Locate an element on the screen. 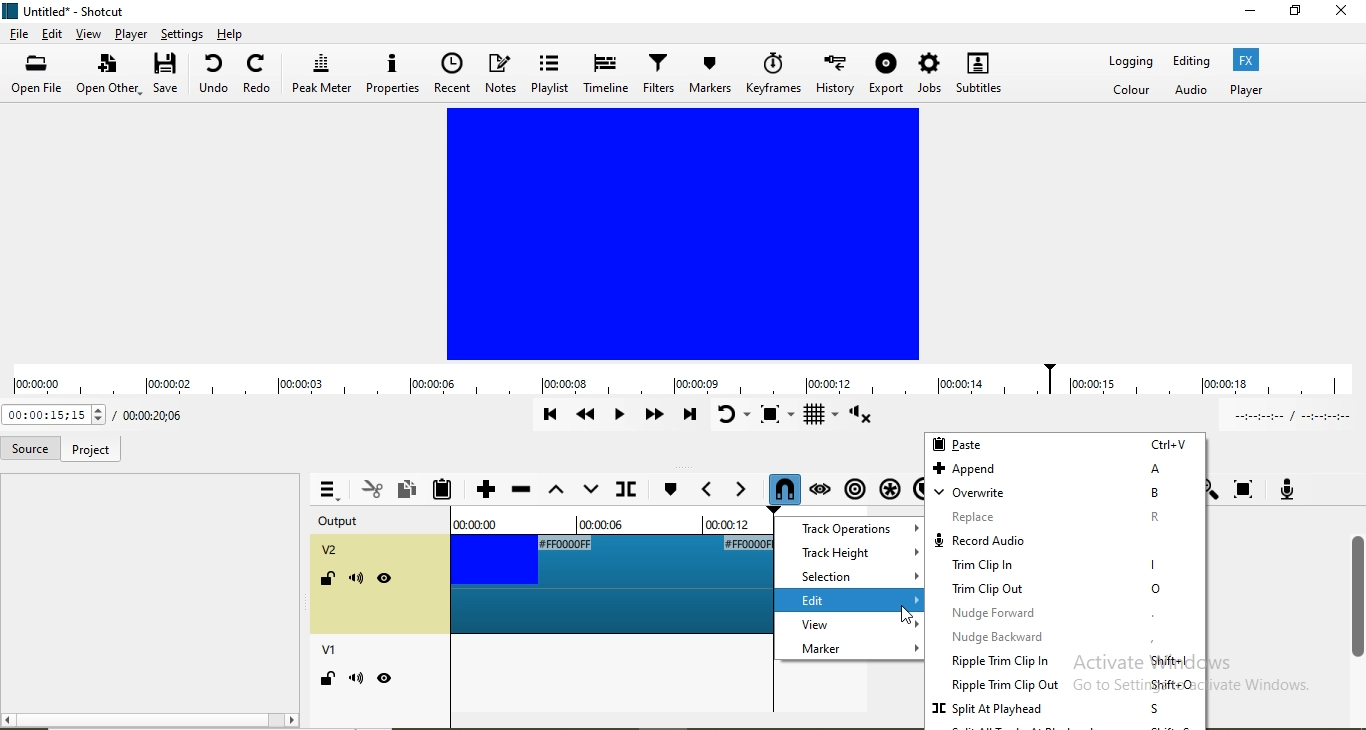 This screenshot has width=1366, height=730. Play quickly backwards is located at coordinates (587, 419).